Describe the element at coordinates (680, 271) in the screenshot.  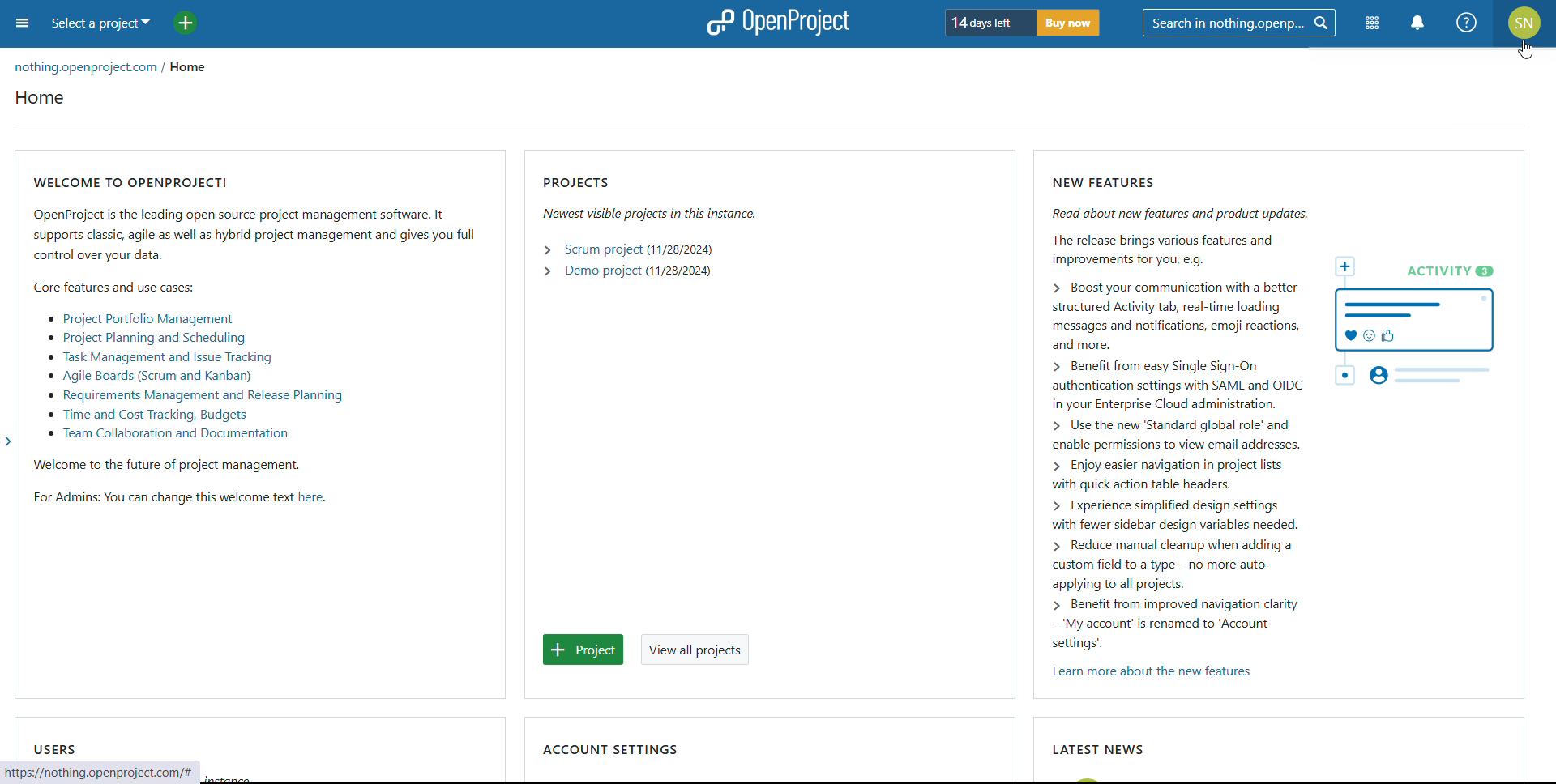
I see `demo project start date` at that location.